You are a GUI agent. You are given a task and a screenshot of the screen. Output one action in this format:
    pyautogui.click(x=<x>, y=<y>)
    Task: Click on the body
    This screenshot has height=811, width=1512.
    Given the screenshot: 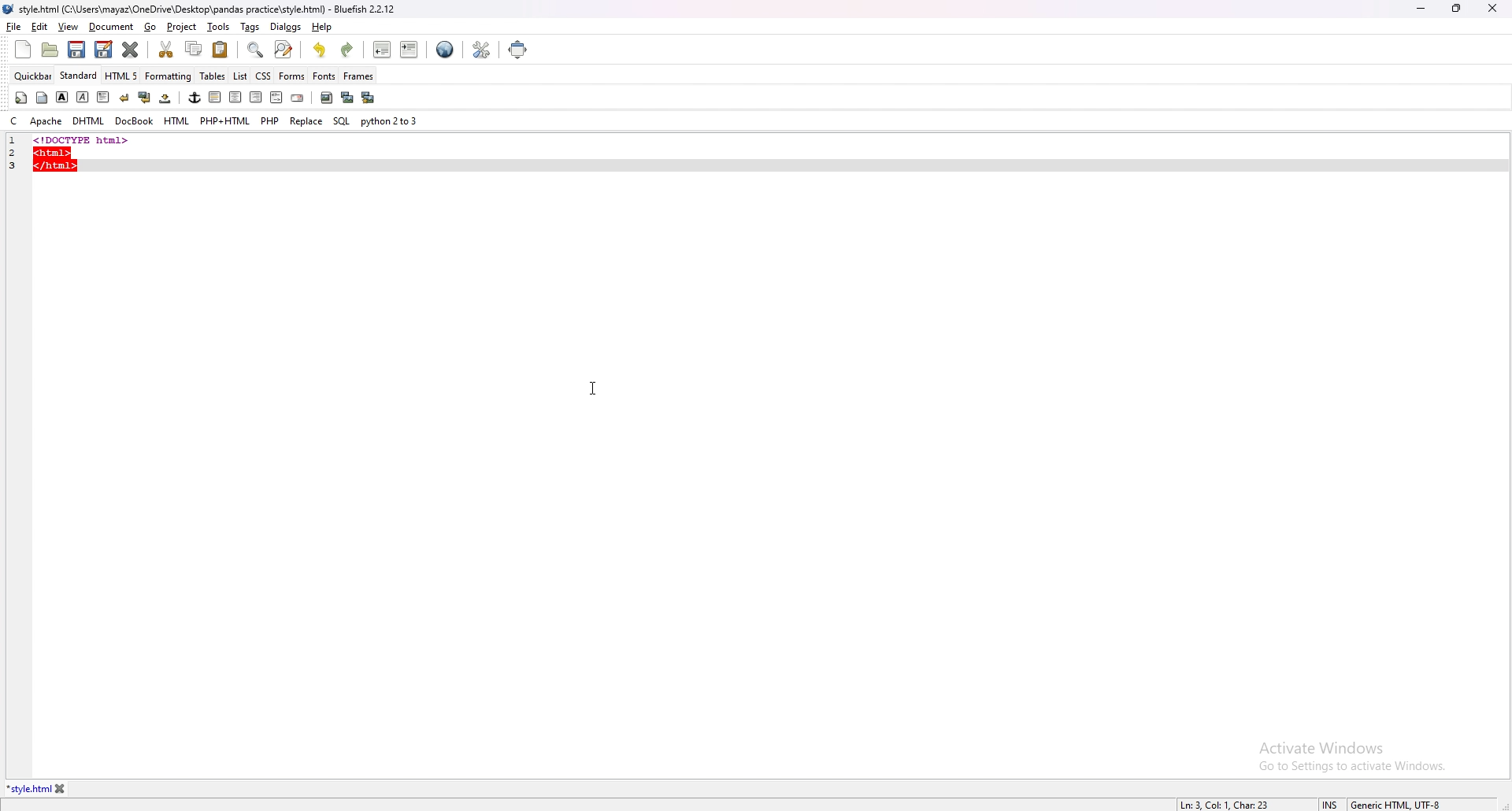 What is the action you would take?
    pyautogui.click(x=43, y=96)
    